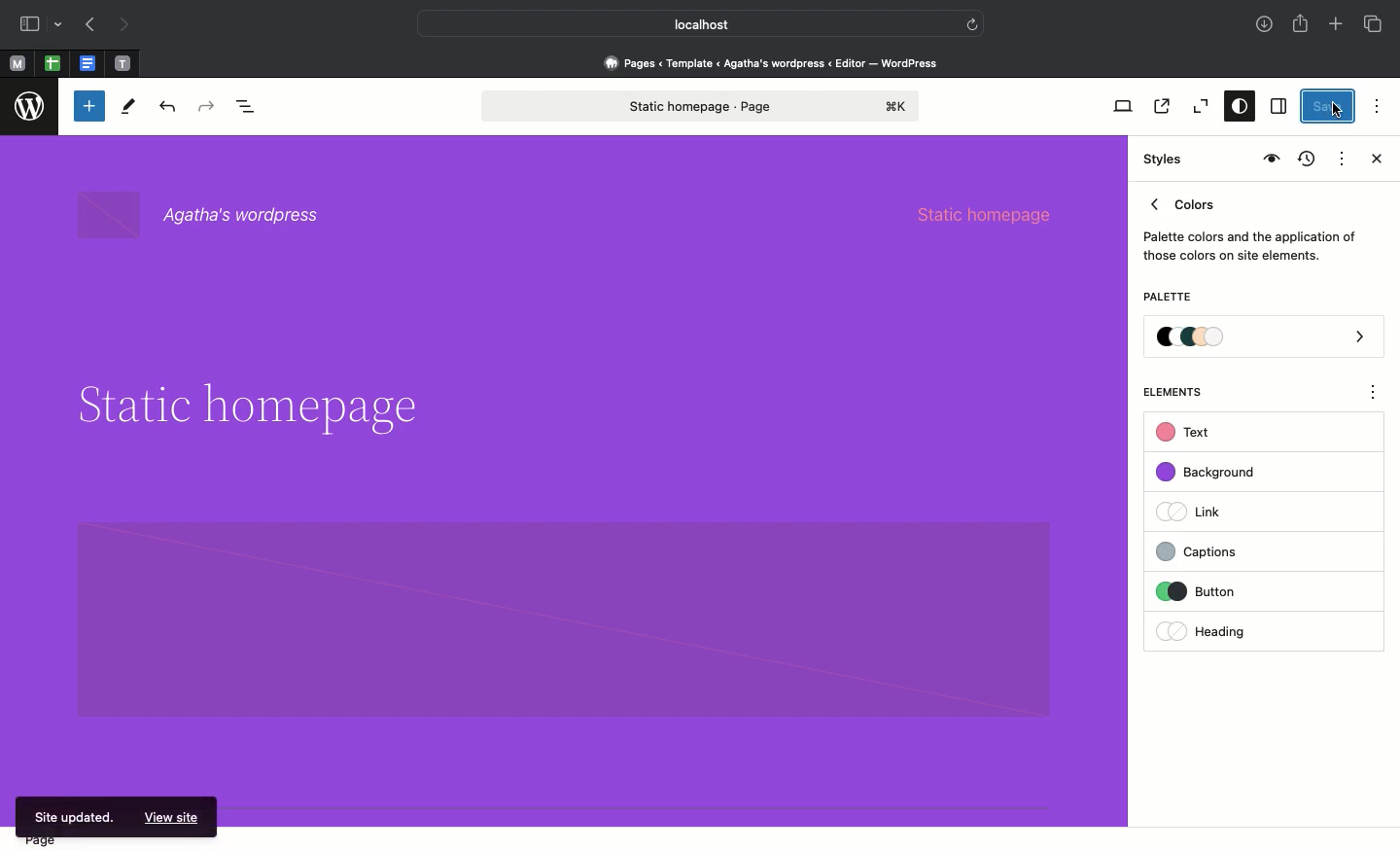 Image resolution: width=1400 pixels, height=850 pixels. Describe the element at coordinates (1186, 433) in the screenshot. I see `Text` at that location.